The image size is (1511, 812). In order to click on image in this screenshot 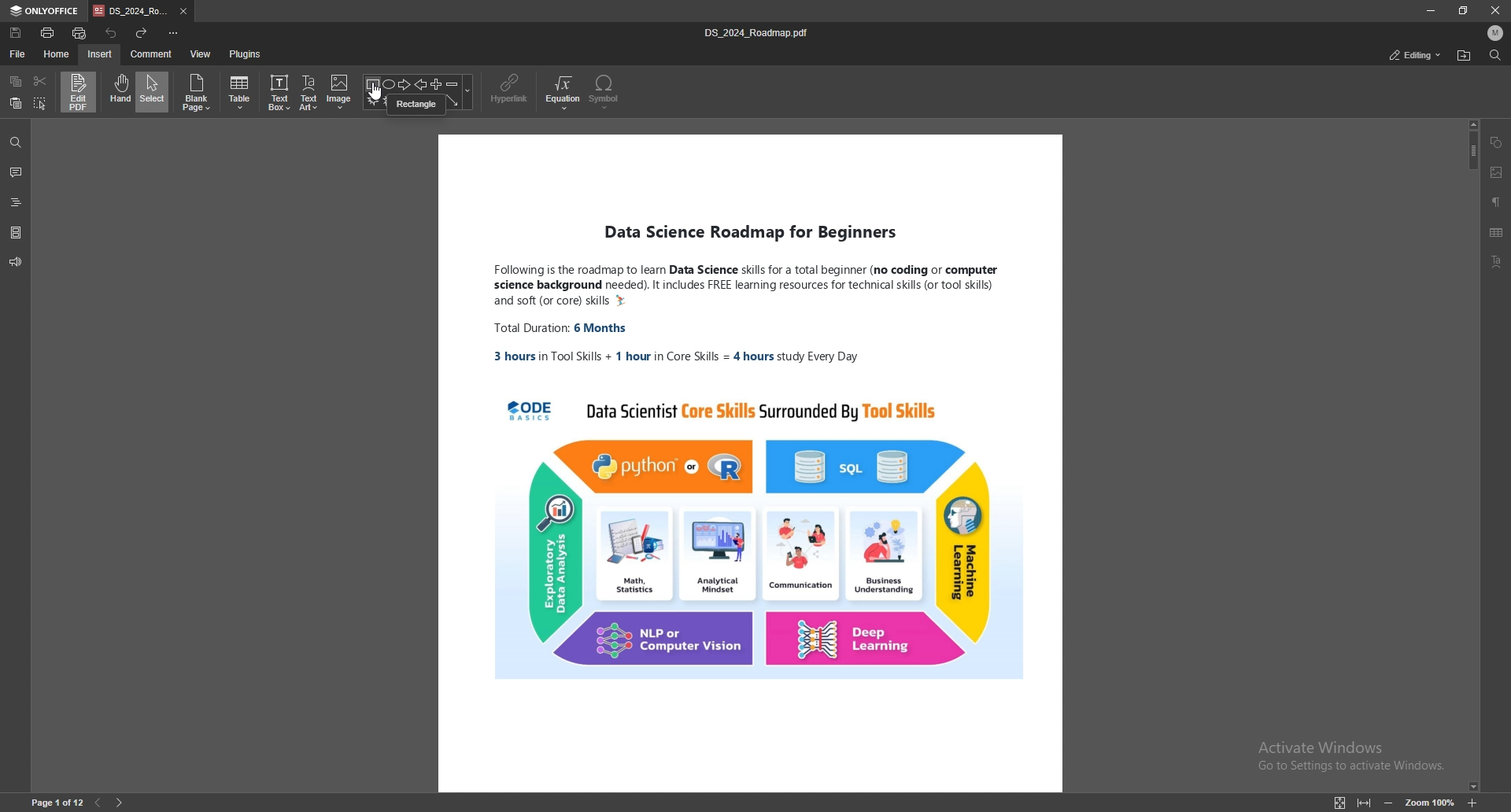, I will do `click(339, 92)`.